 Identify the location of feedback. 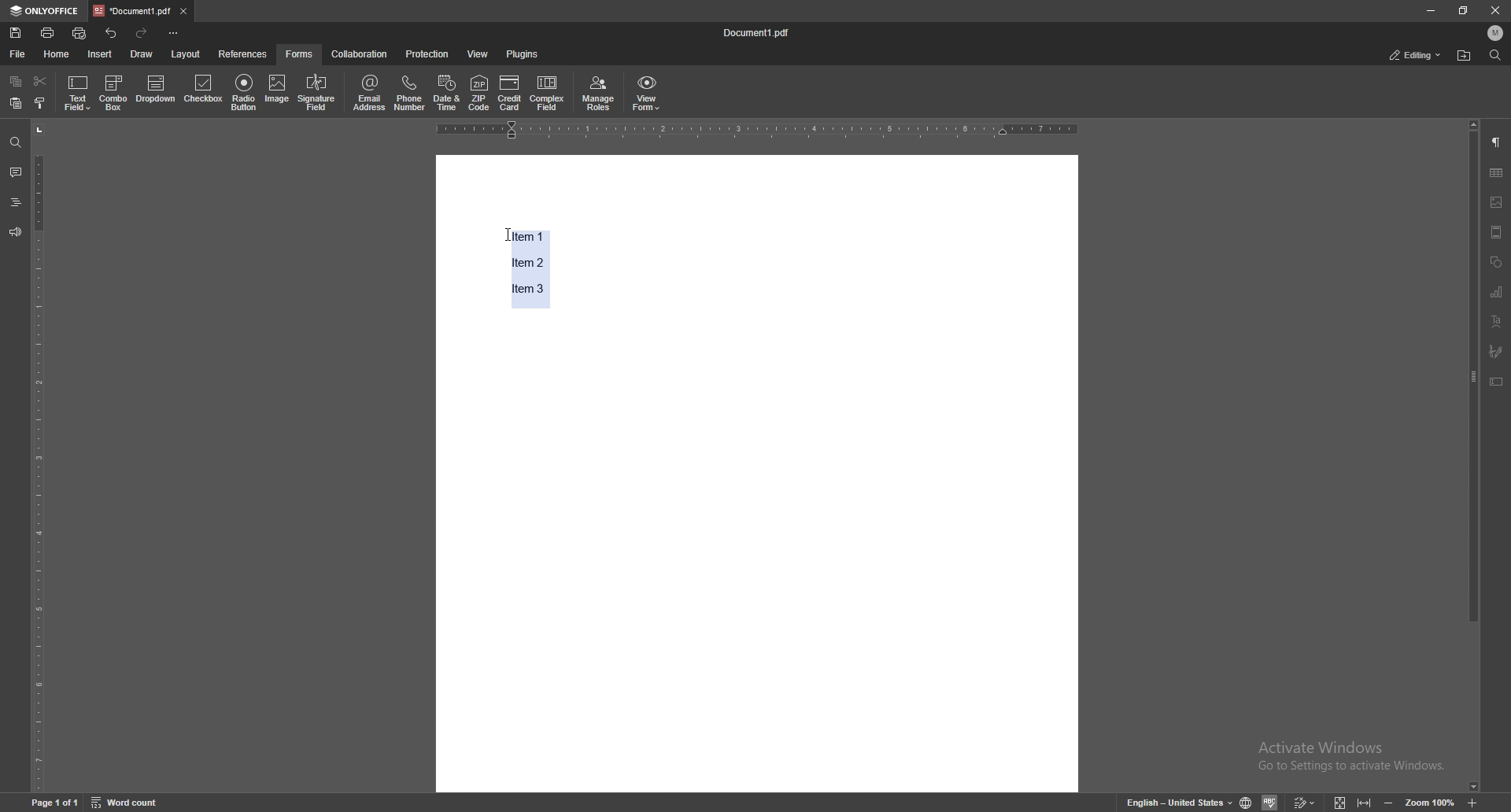
(16, 233).